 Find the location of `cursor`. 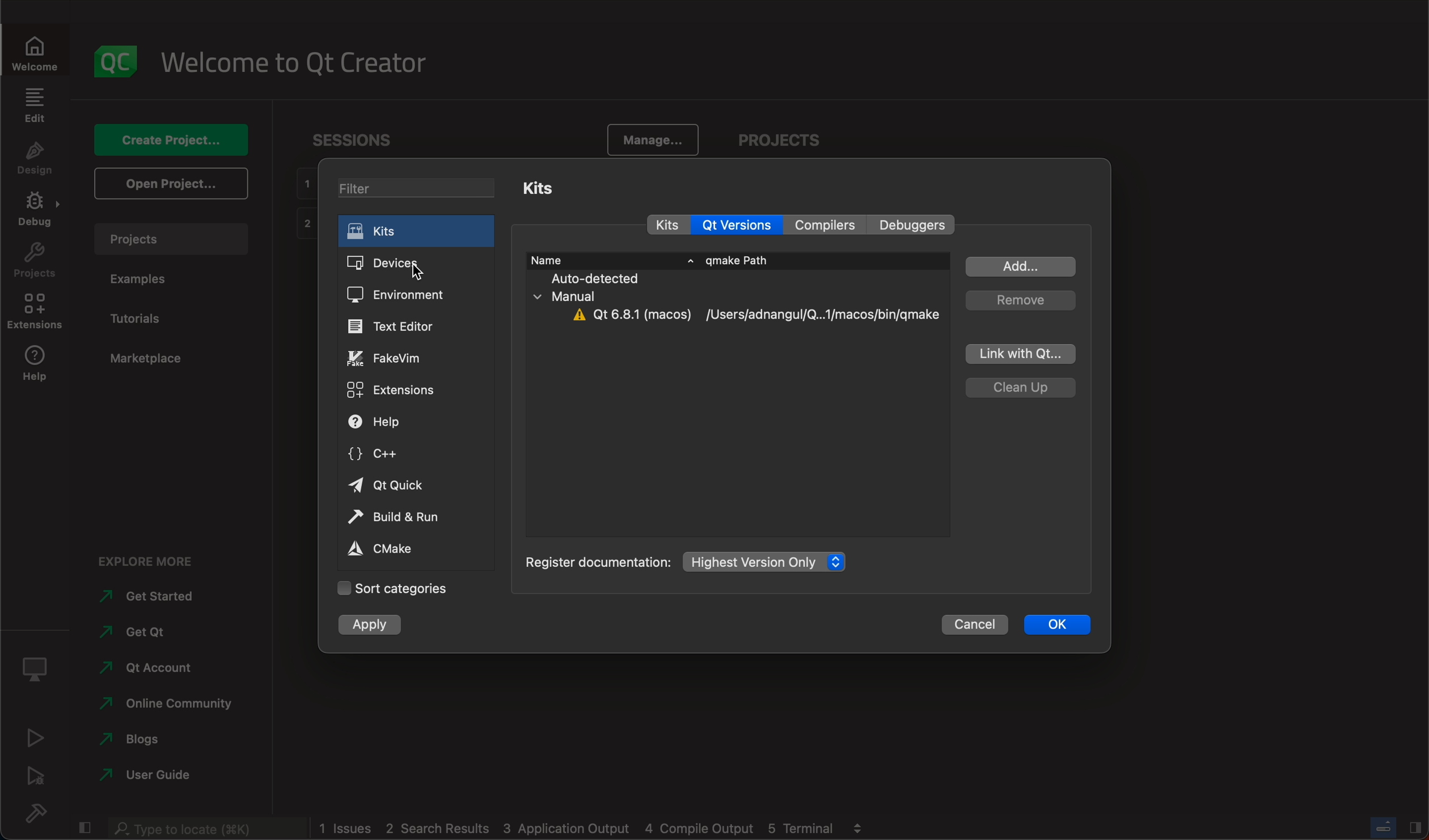

cursor is located at coordinates (421, 272).